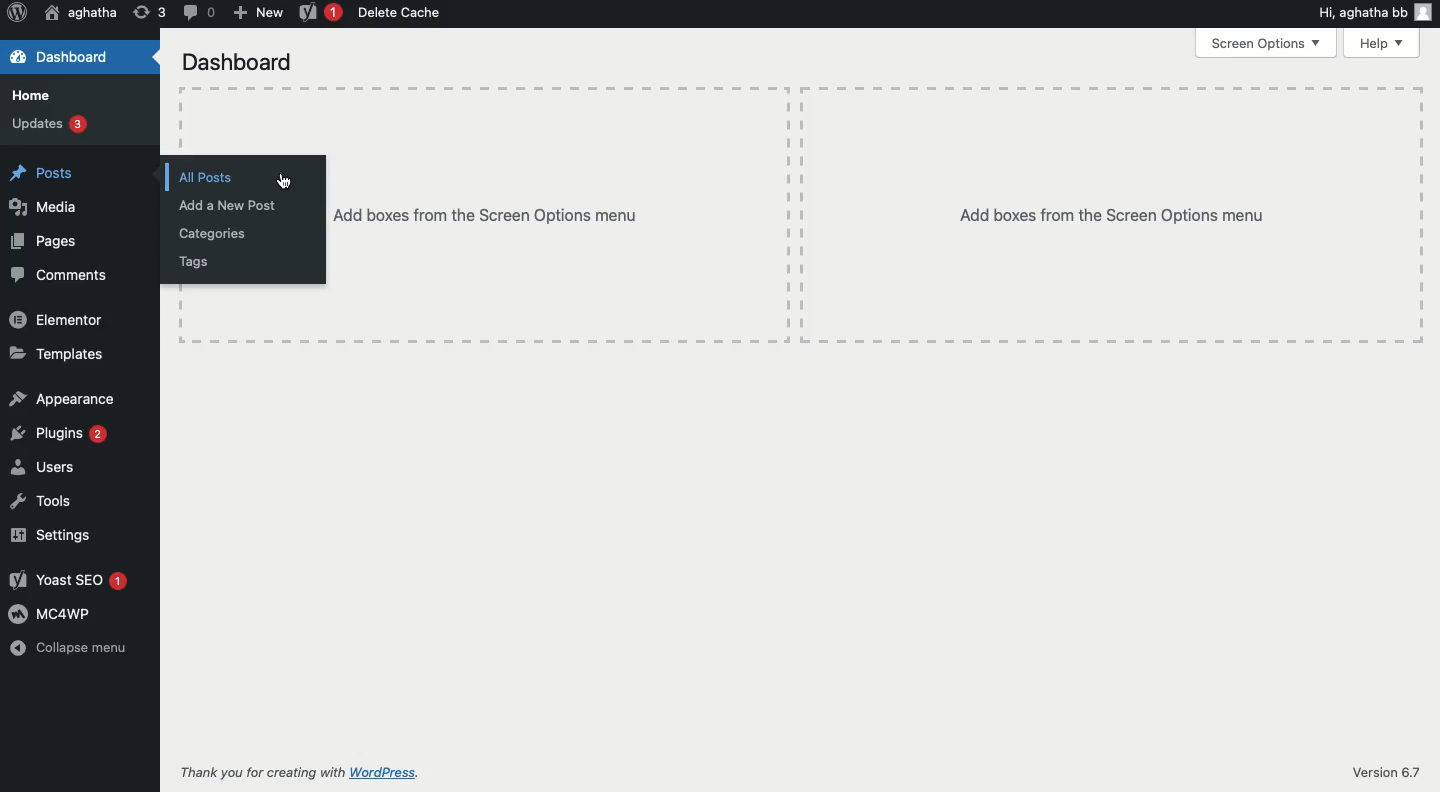 This screenshot has width=1440, height=792. Describe the element at coordinates (57, 320) in the screenshot. I see `Elementor` at that location.